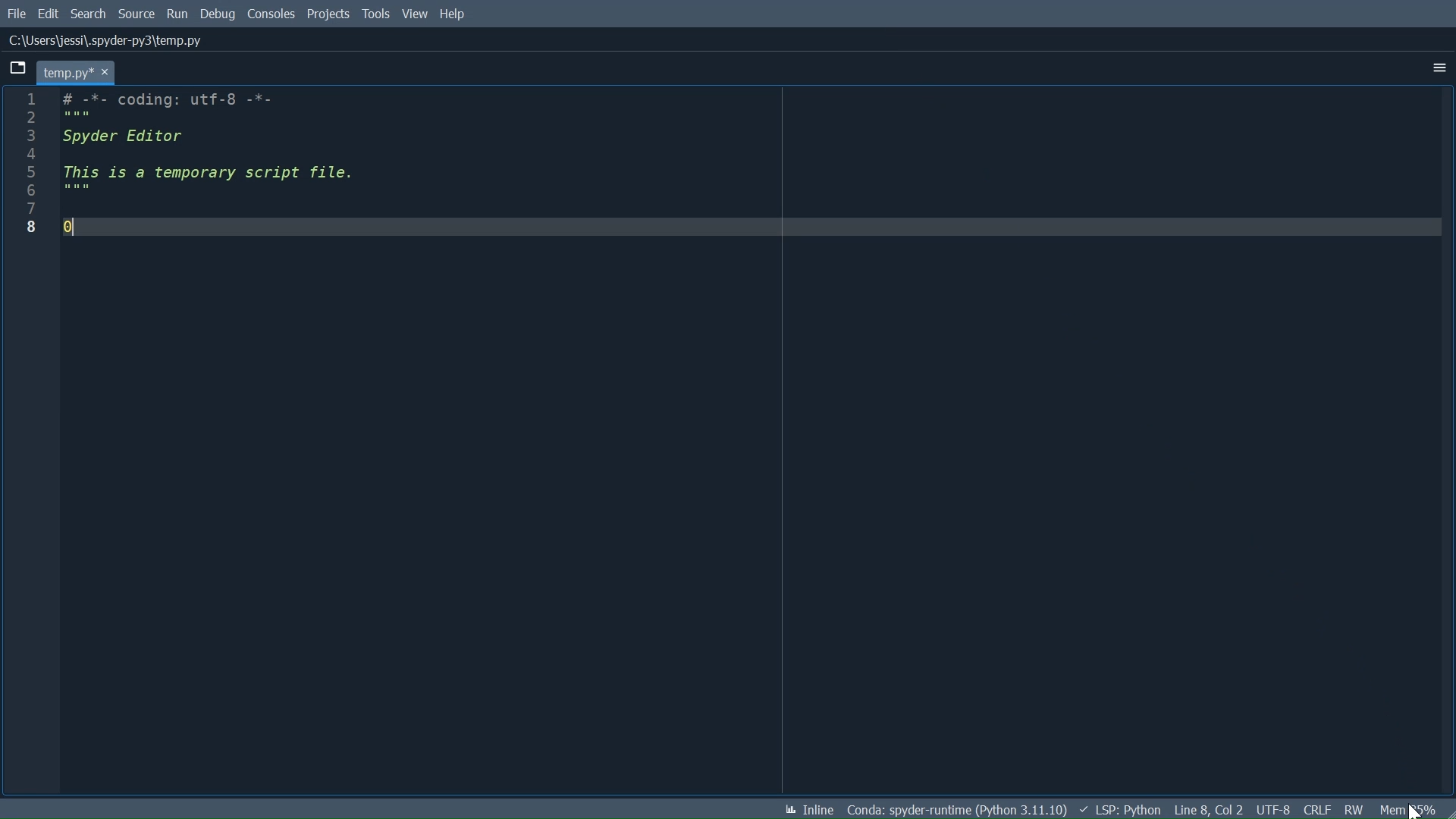 The image size is (1456, 819). I want to click on Edit, so click(51, 14).